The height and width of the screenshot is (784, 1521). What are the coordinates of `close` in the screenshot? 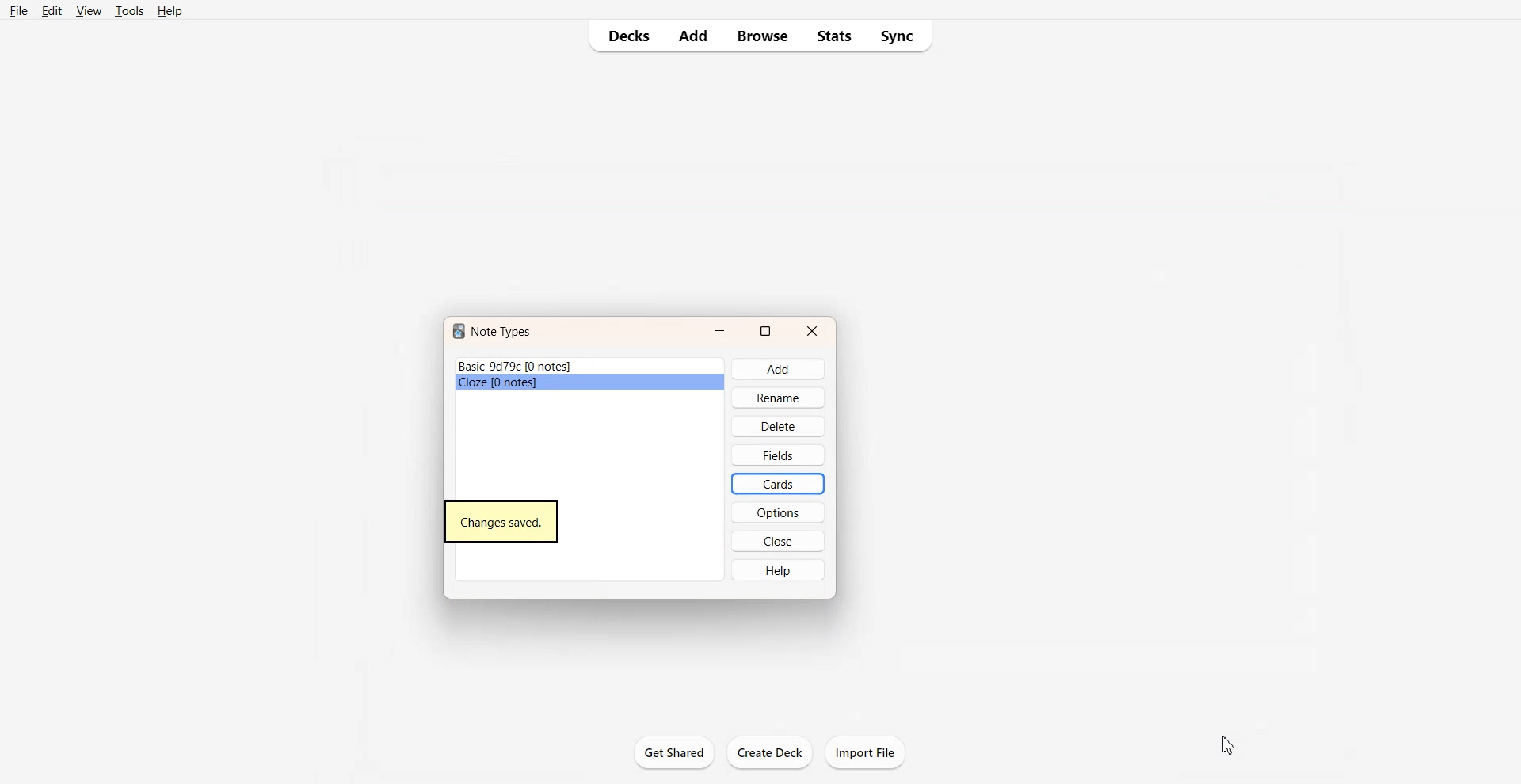 It's located at (781, 540).